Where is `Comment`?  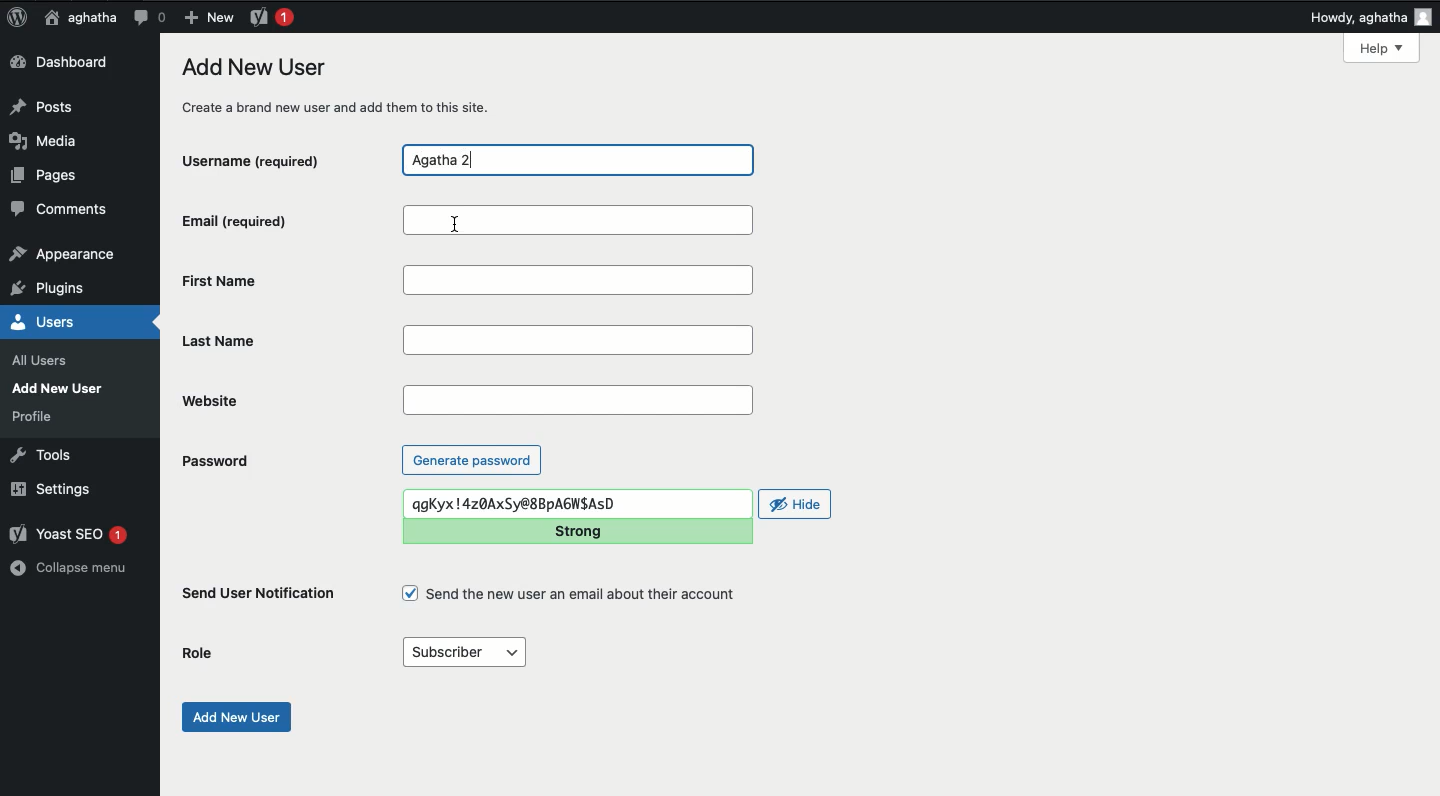
Comment is located at coordinates (149, 17).